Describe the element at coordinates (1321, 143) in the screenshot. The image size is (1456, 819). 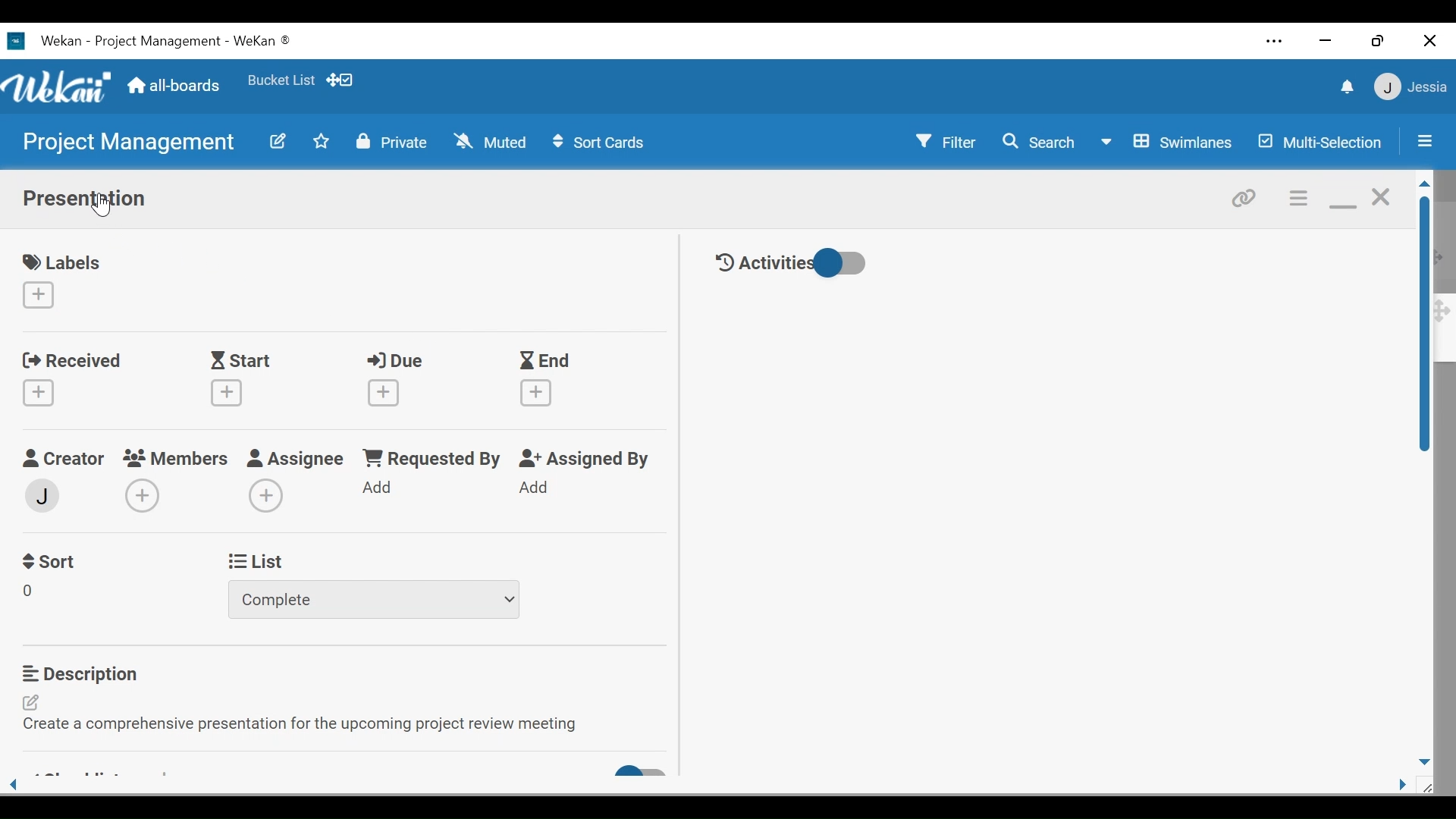
I see `Multi-Selection` at that location.